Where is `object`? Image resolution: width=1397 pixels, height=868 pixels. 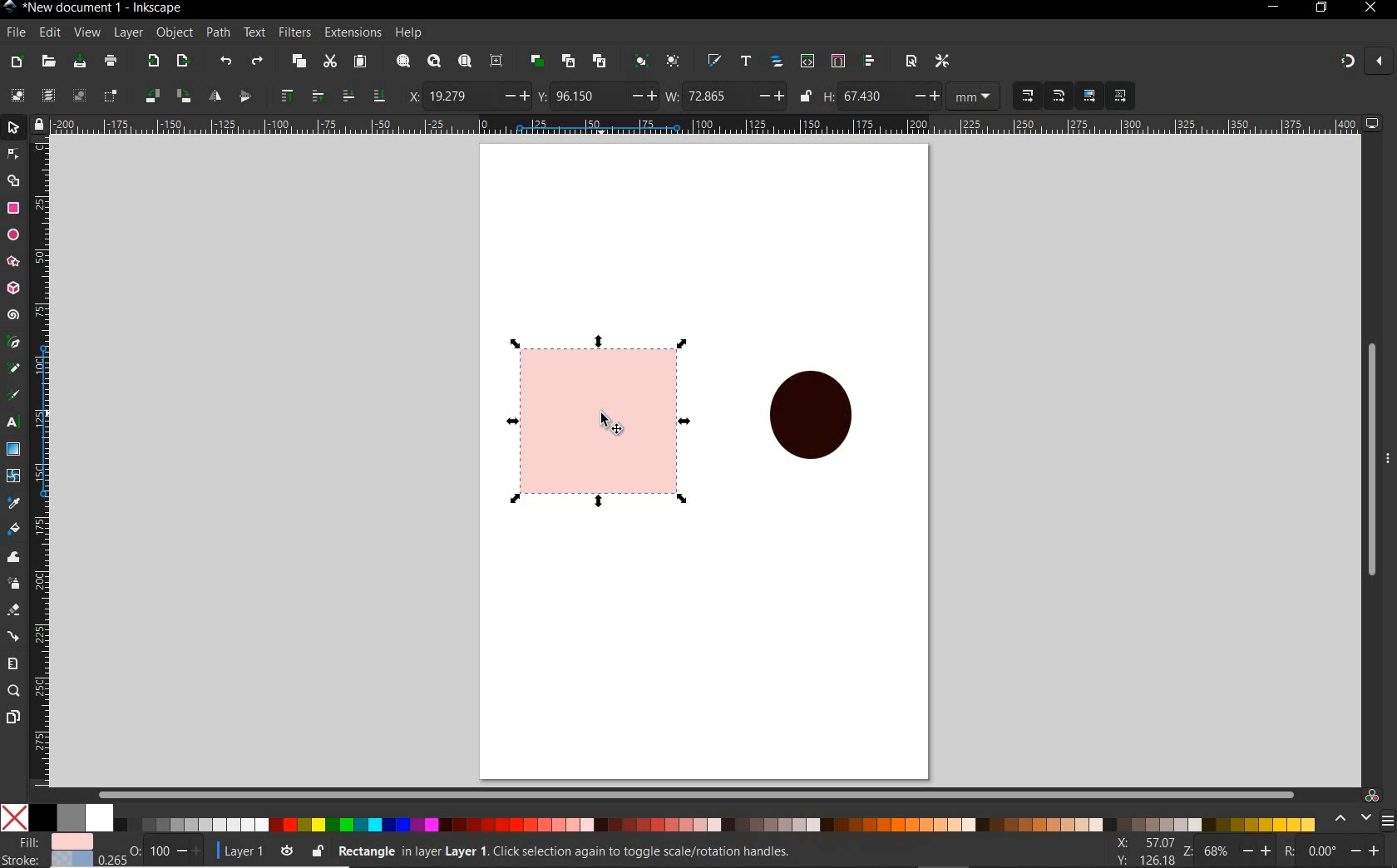
object is located at coordinates (174, 32).